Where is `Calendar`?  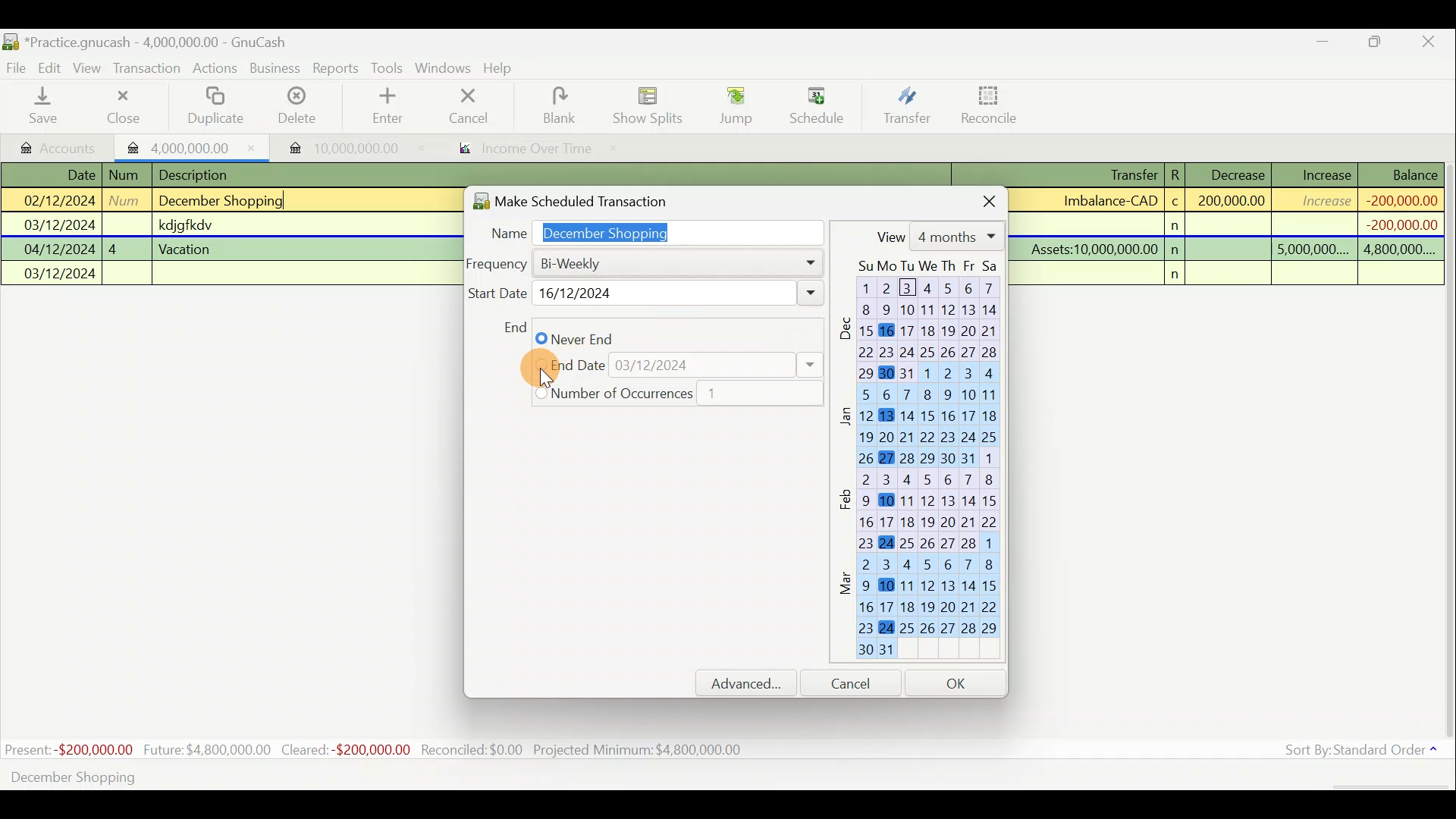 Calendar is located at coordinates (925, 463).